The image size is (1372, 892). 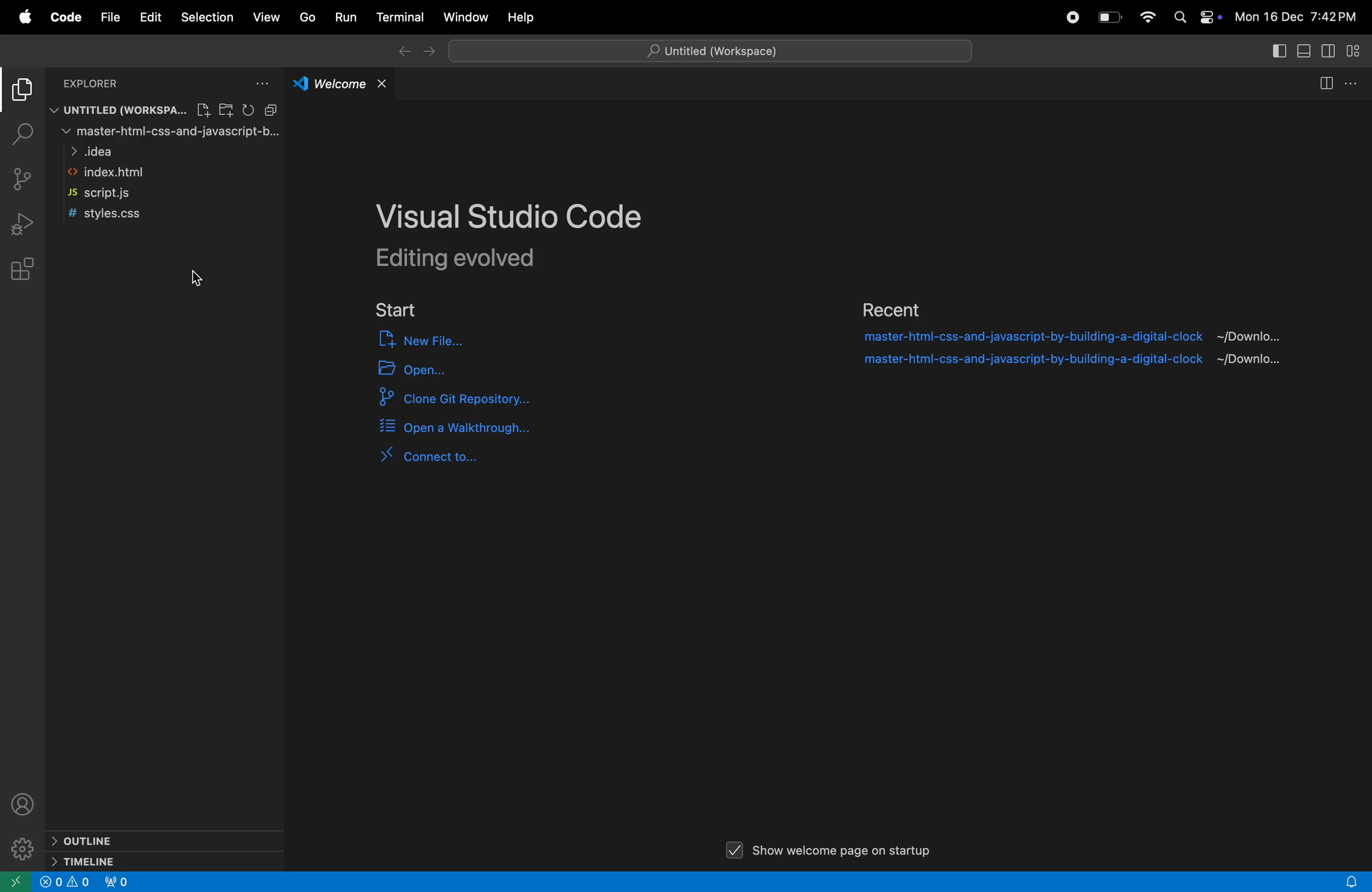 I want to click on customize layout, so click(x=1352, y=51).